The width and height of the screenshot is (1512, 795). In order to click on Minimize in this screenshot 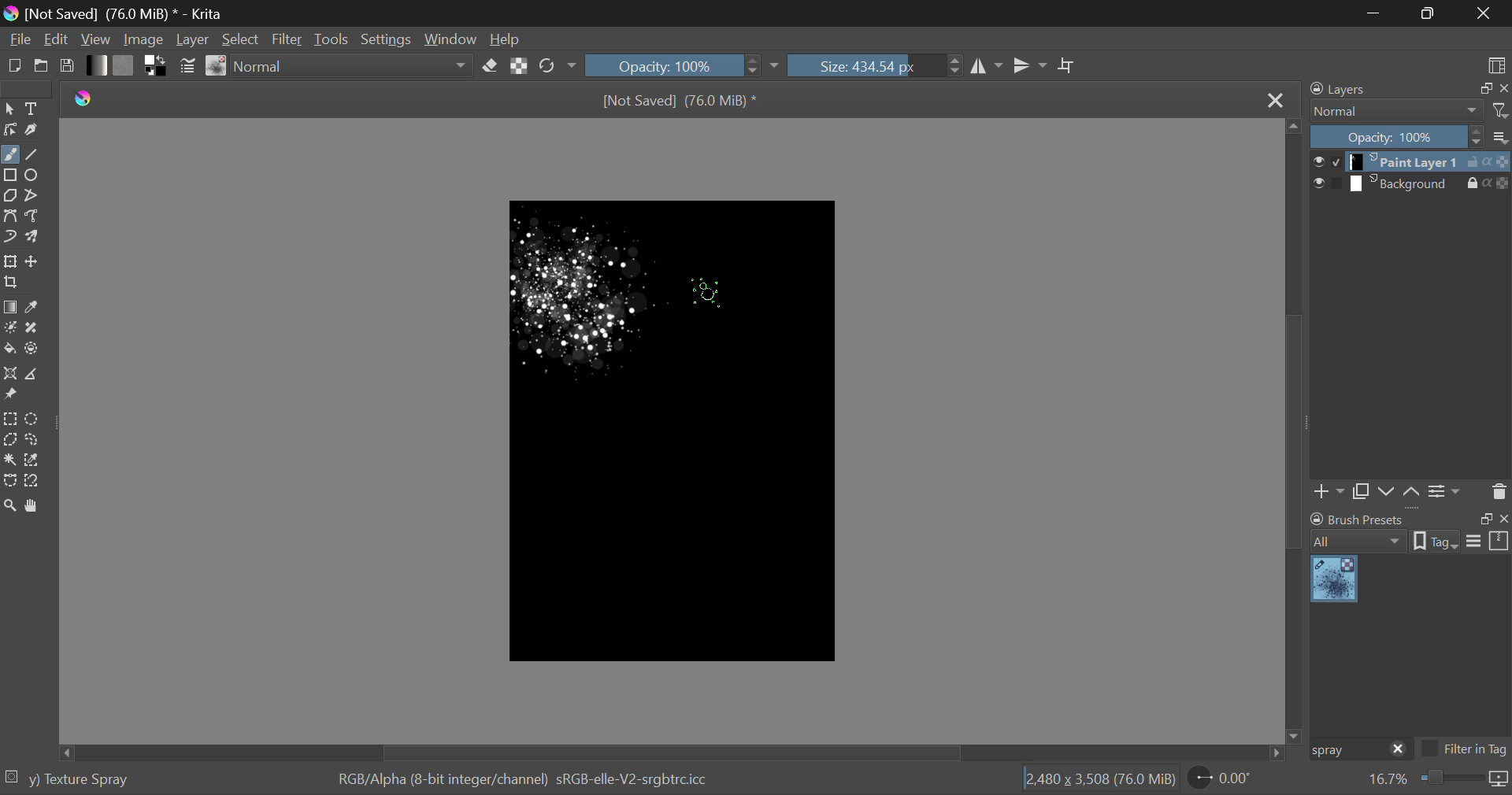, I will do `click(1431, 12)`.